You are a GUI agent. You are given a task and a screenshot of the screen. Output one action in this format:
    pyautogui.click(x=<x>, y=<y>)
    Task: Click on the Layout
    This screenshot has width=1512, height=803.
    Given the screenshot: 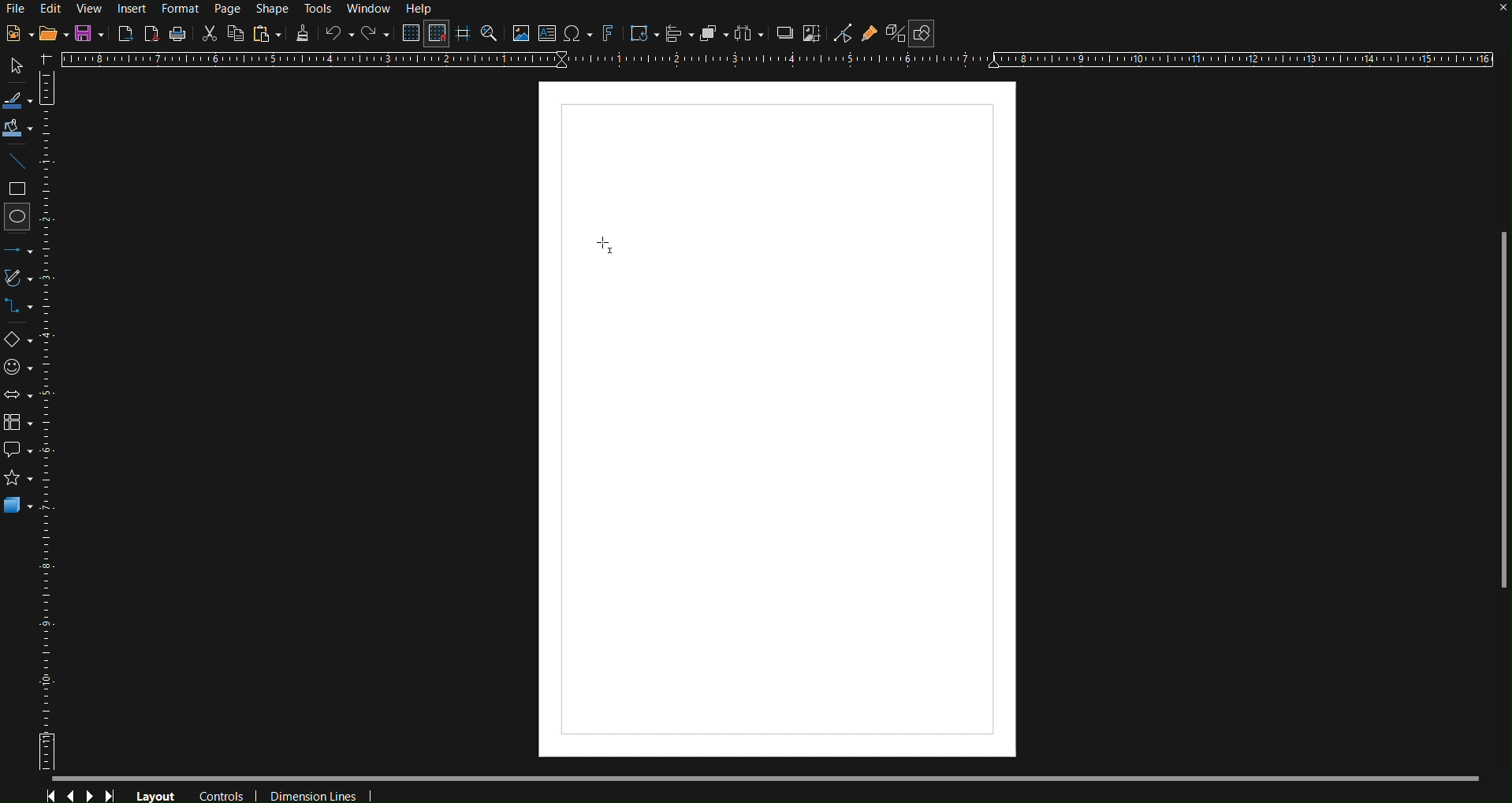 What is the action you would take?
    pyautogui.click(x=156, y=794)
    